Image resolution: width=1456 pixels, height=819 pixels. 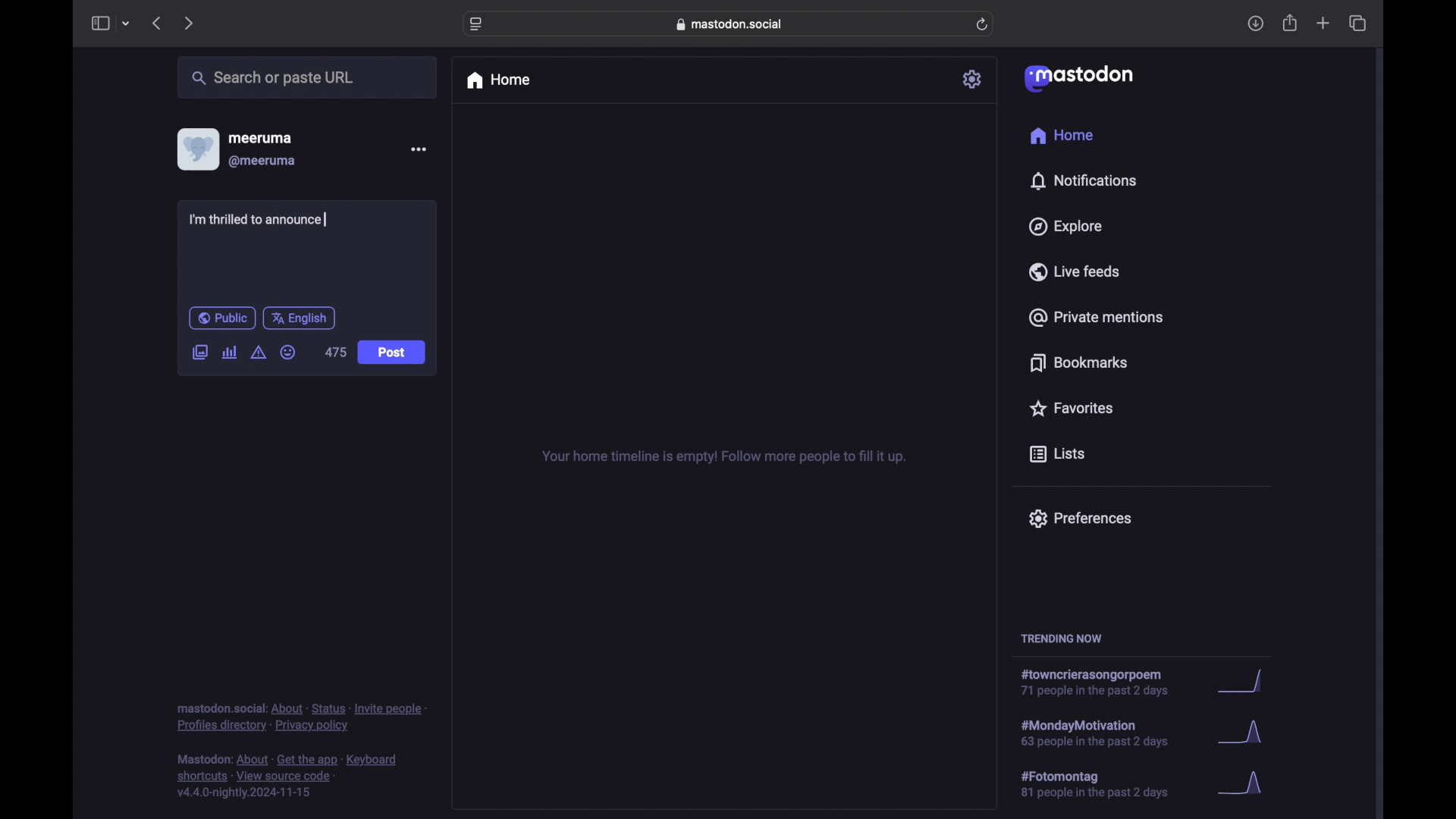 What do you see at coordinates (156, 23) in the screenshot?
I see `previous` at bounding box center [156, 23].